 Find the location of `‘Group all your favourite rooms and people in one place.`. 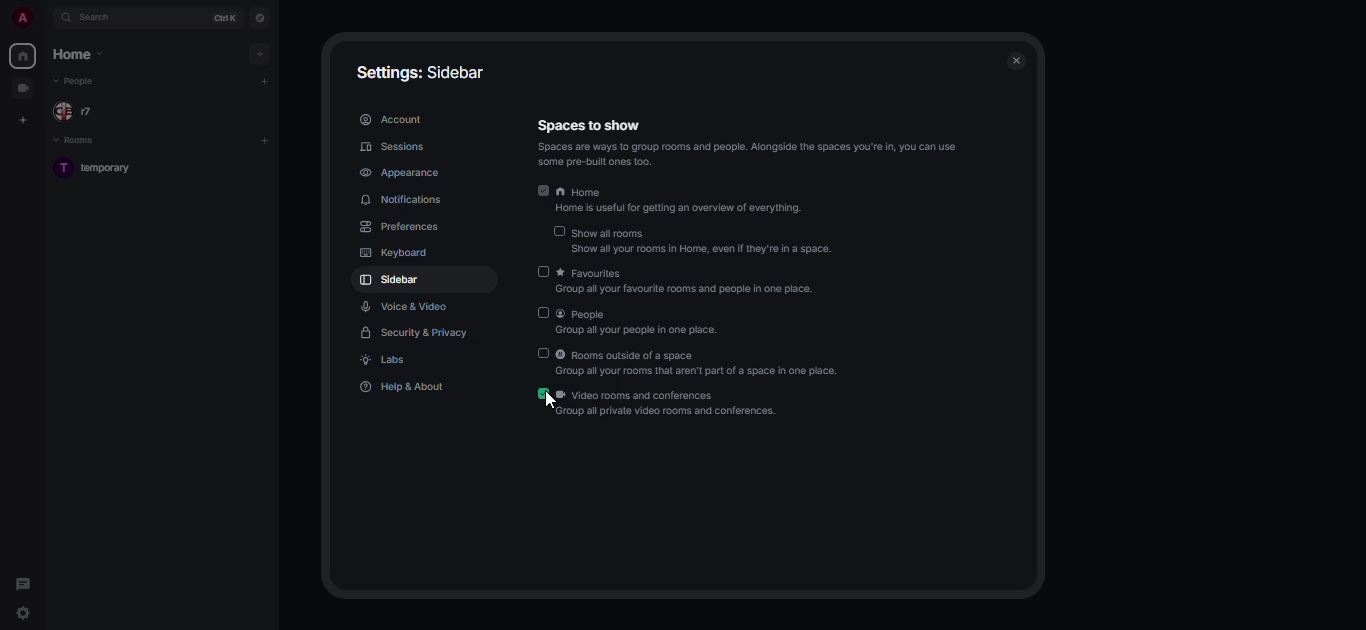

‘Group all your favourite rooms and people in one place. is located at coordinates (687, 292).